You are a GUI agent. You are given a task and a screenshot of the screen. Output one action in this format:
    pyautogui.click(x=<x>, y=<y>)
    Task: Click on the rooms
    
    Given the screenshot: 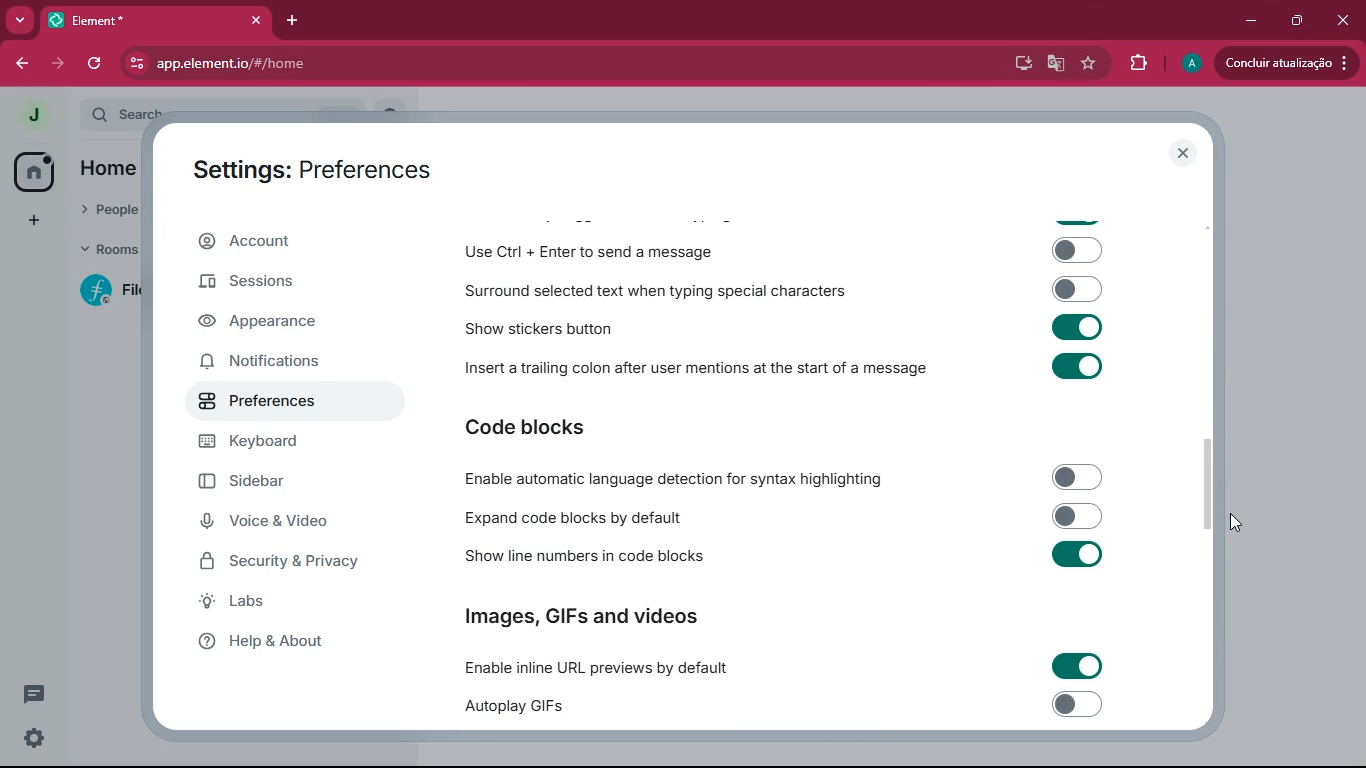 What is the action you would take?
    pyautogui.click(x=108, y=252)
    